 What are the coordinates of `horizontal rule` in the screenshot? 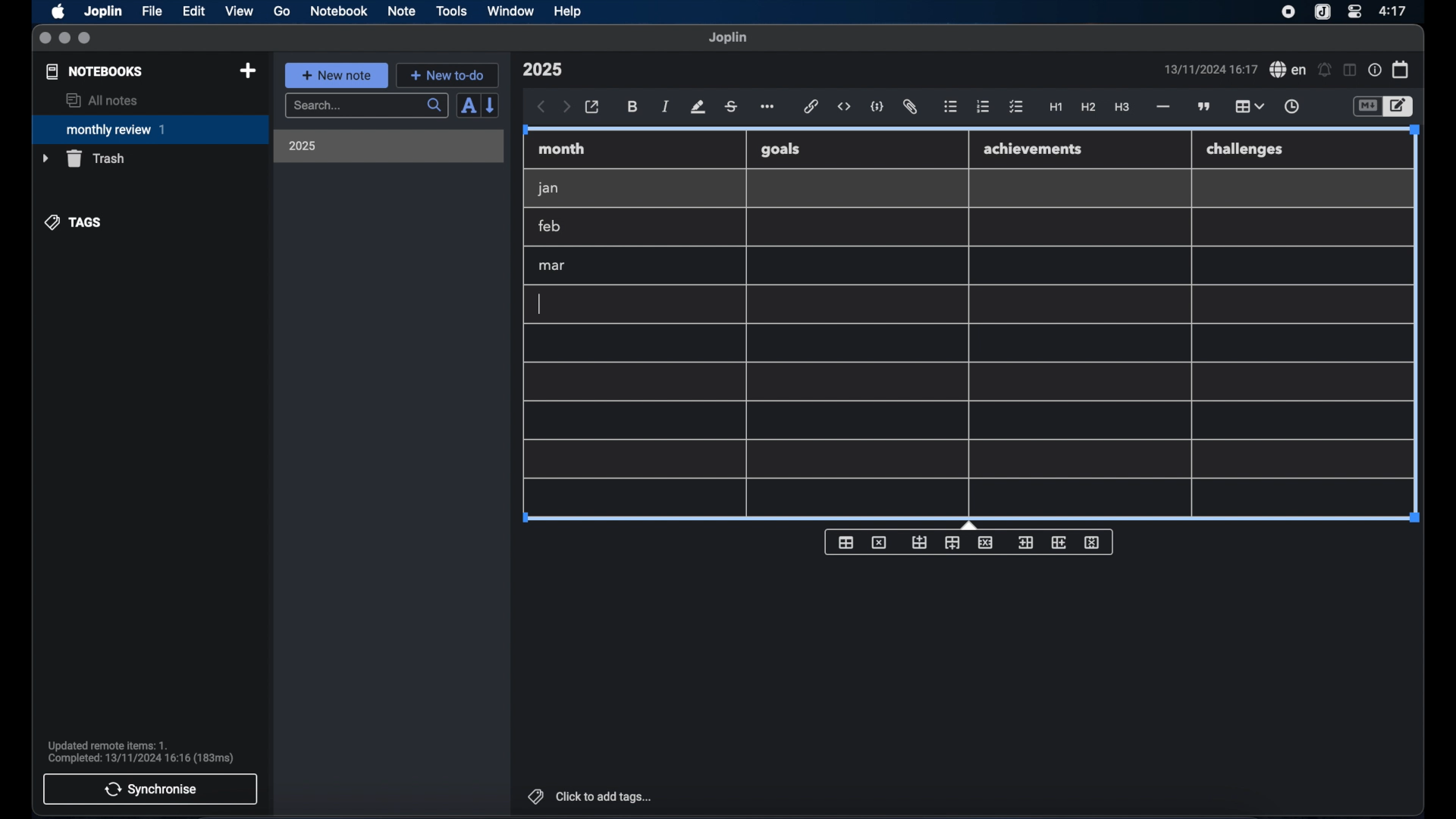 It's located at (1162, 107).